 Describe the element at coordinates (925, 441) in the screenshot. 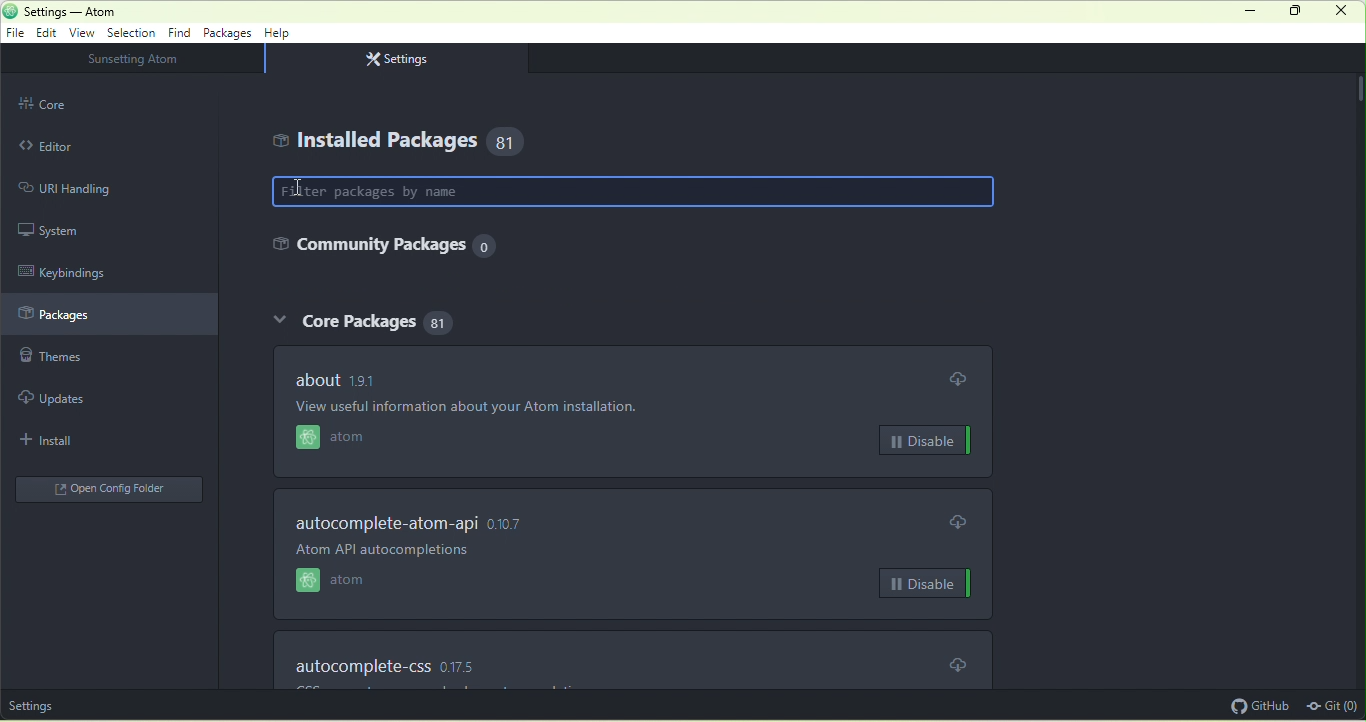

I see `disable` at that location.